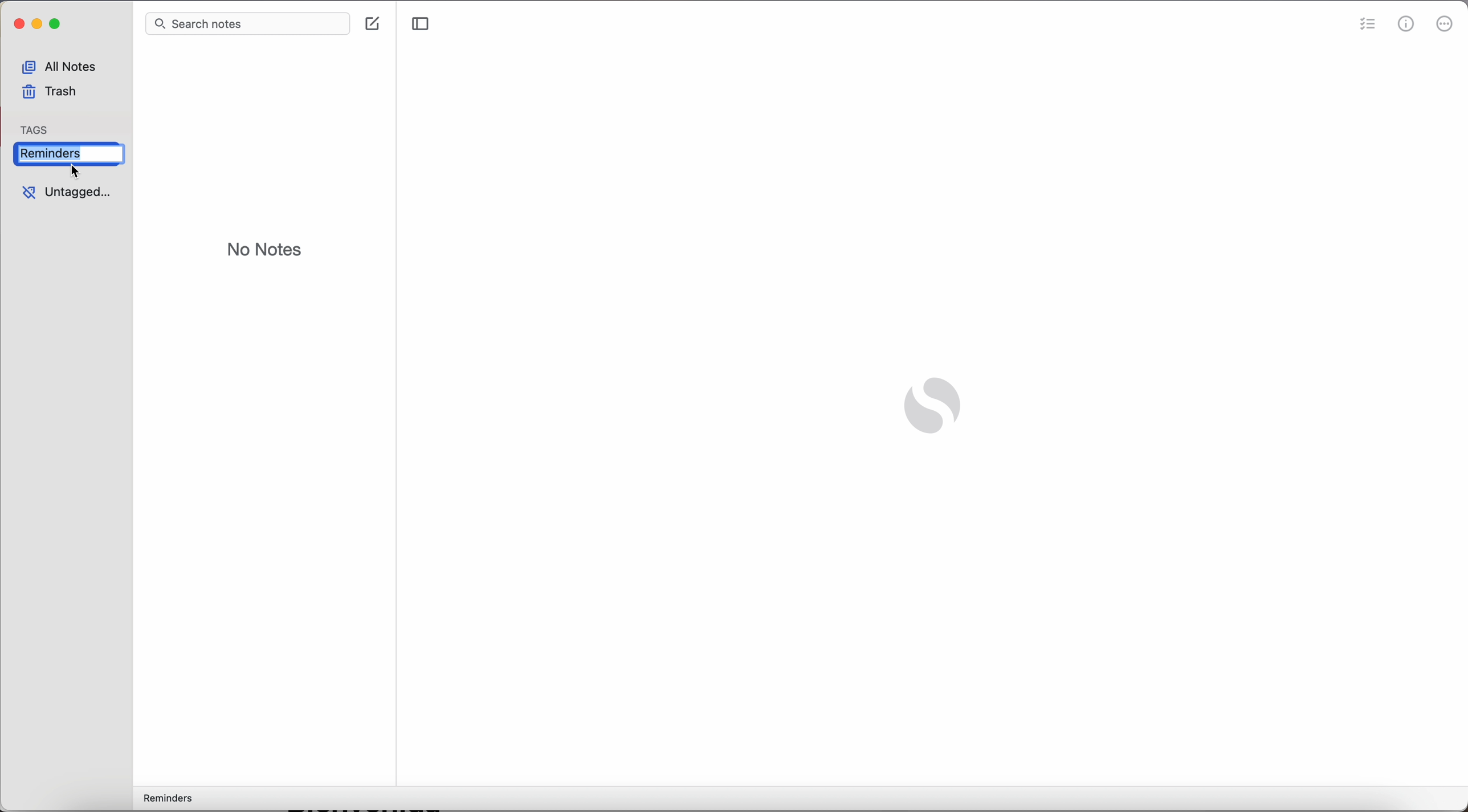 This screenshot has height=812, width=1468. Describe the element at coordinates (421, 26) in the screenshot. I see `toggle sidebar` at that location.